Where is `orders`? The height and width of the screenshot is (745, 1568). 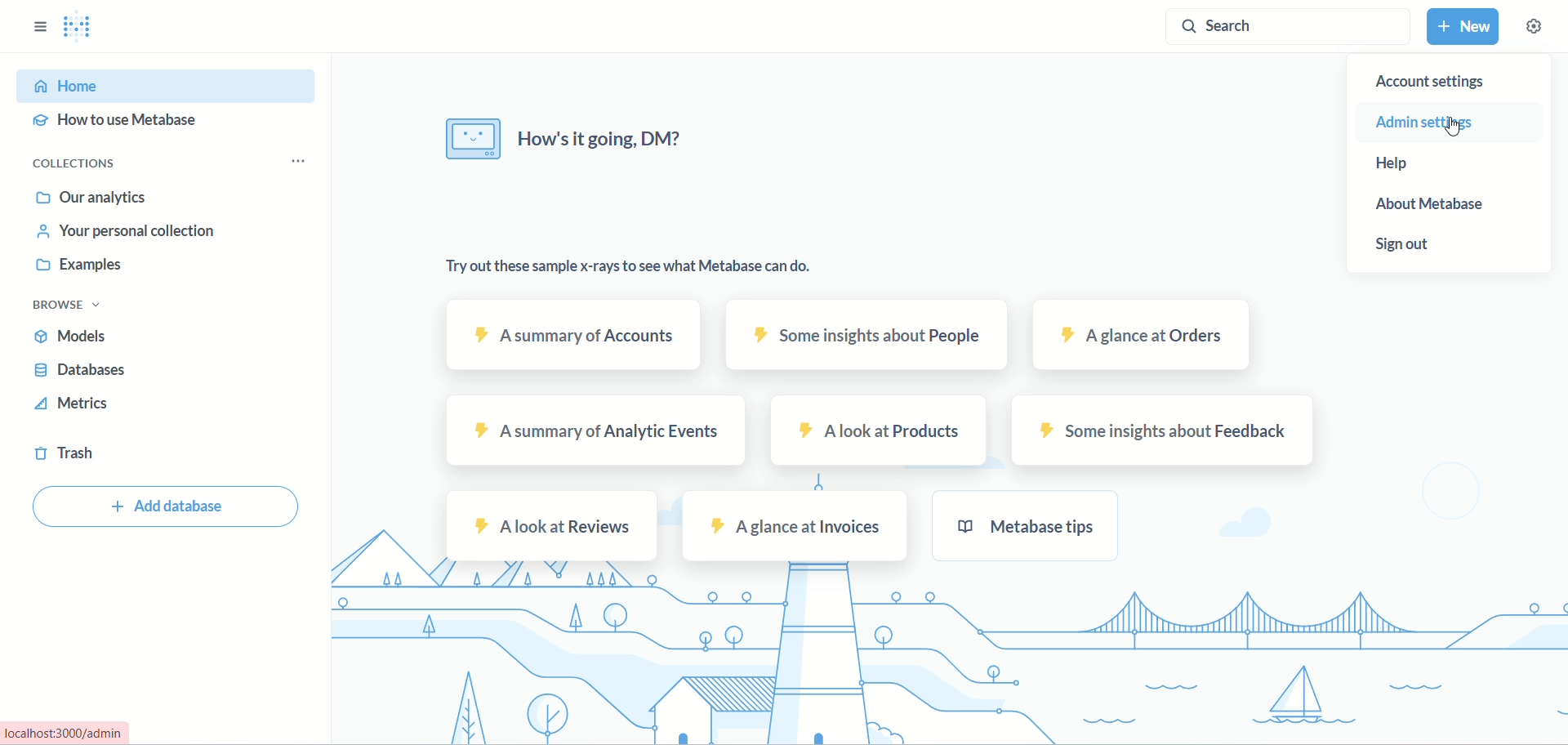
orders is located at coordinates (1140, 335).